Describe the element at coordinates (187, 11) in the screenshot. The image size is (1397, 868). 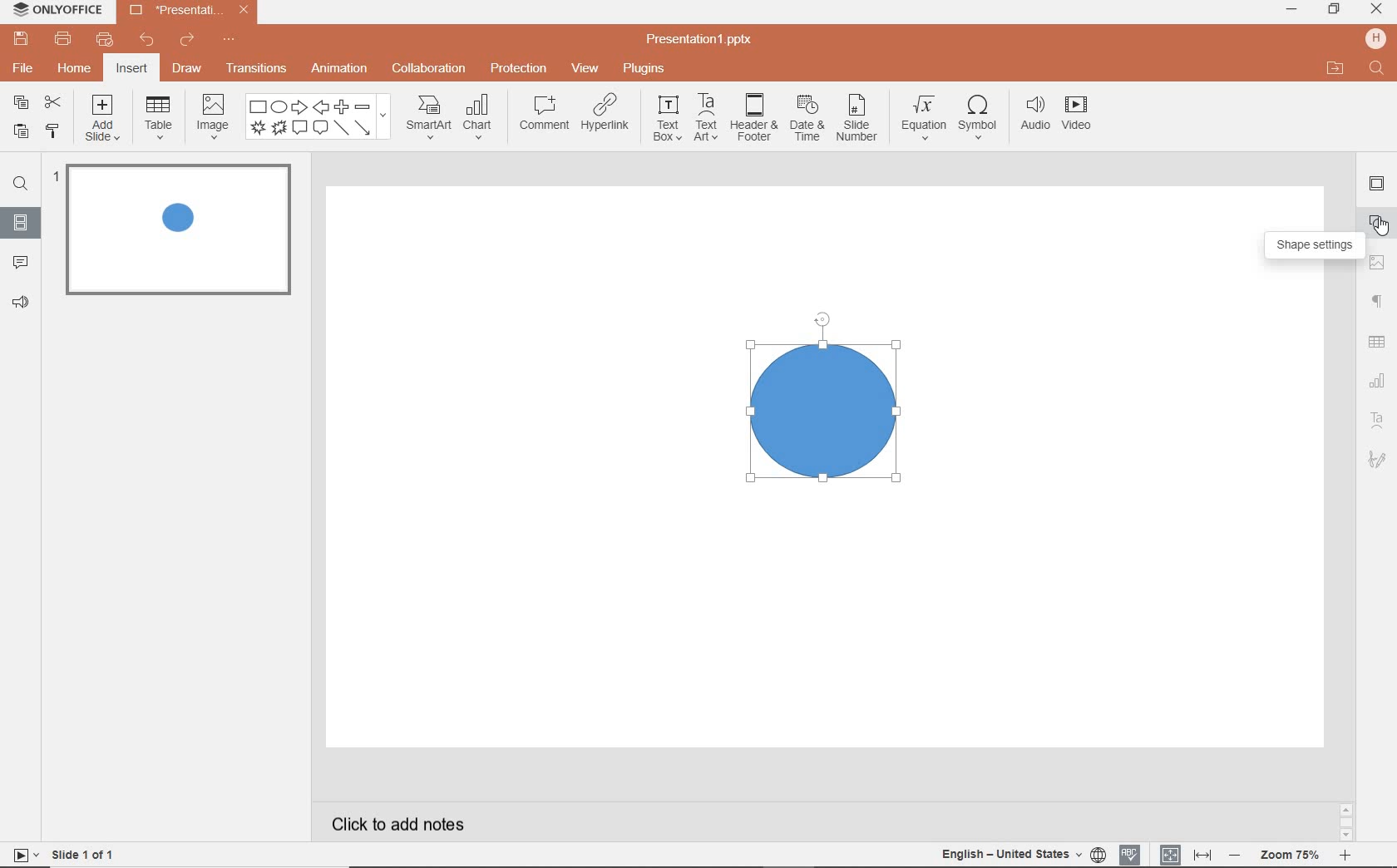
I see `file name` at that location.